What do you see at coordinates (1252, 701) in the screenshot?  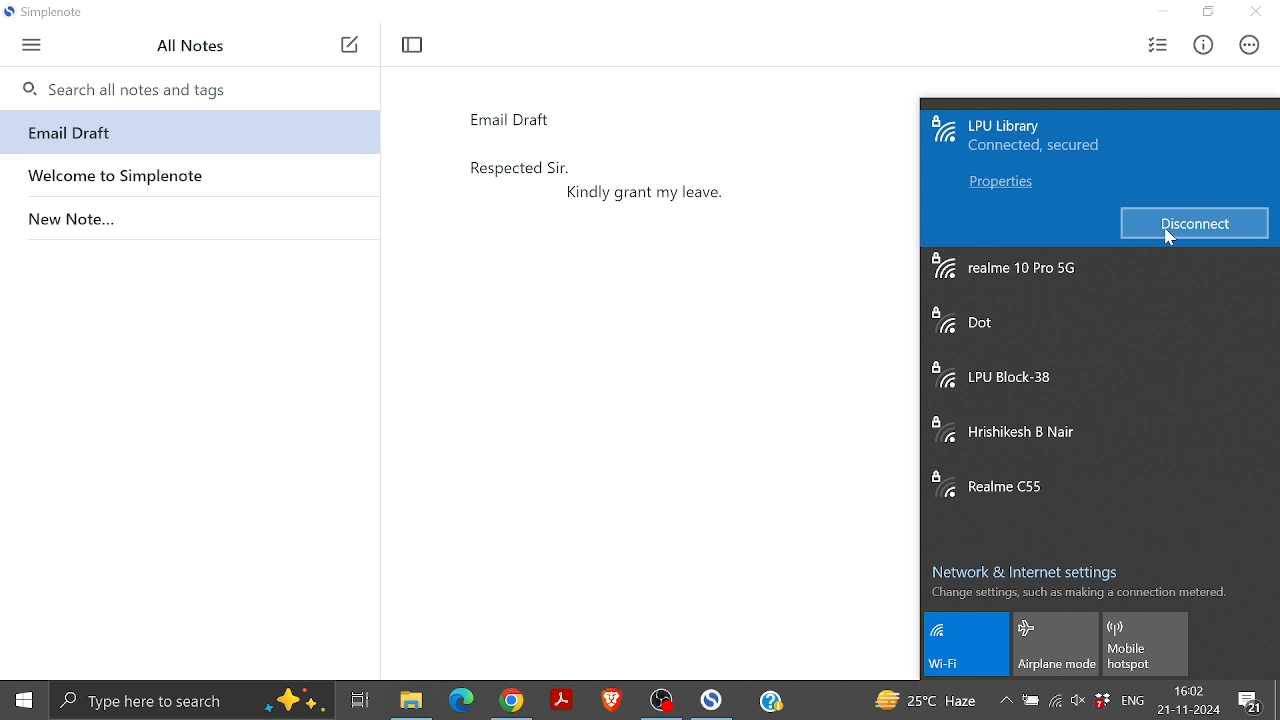 I see `Comments` at bounding box center [1252, 701].